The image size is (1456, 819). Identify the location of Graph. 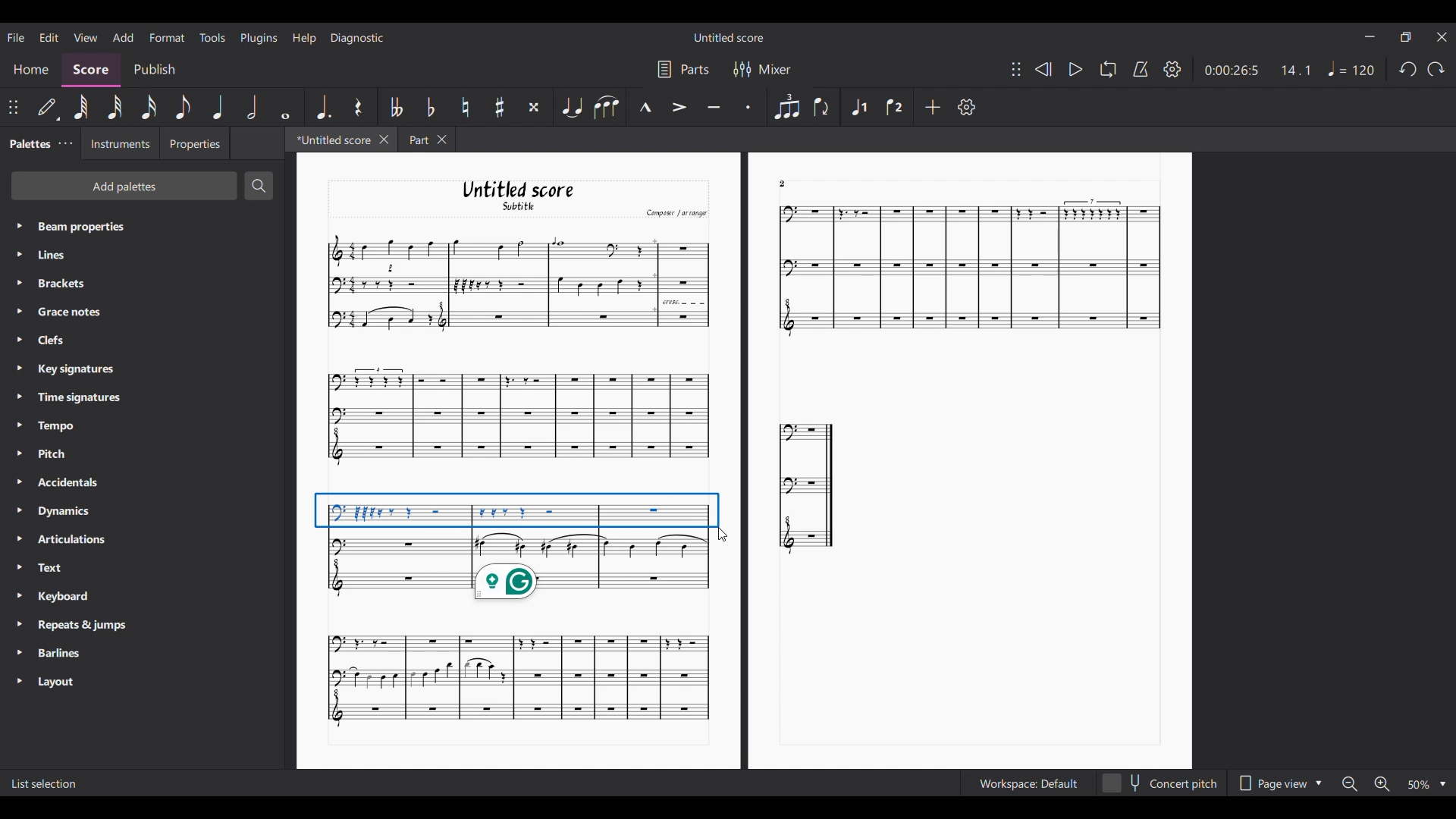
(963, 270).